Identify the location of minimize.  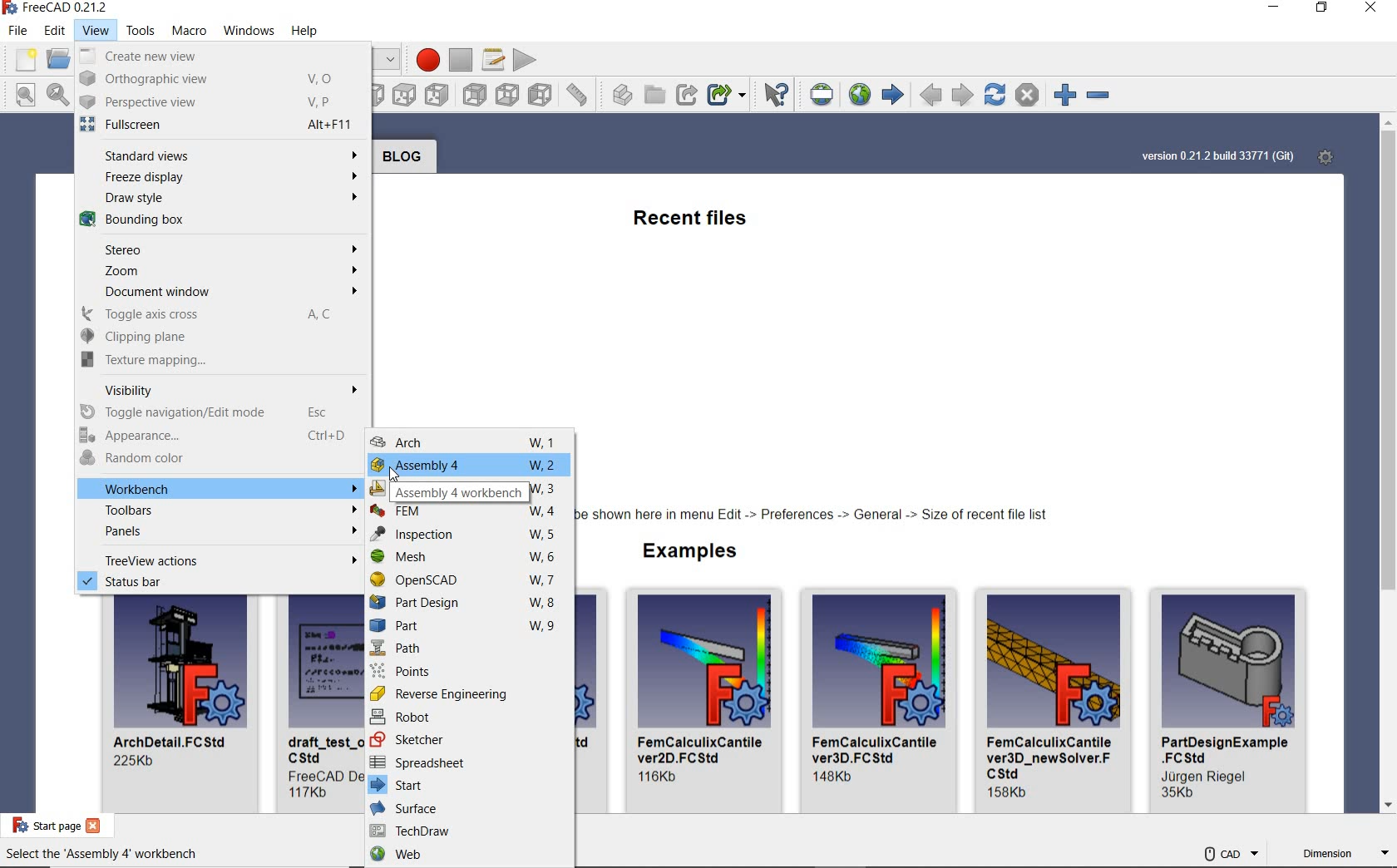
(1272, 8).